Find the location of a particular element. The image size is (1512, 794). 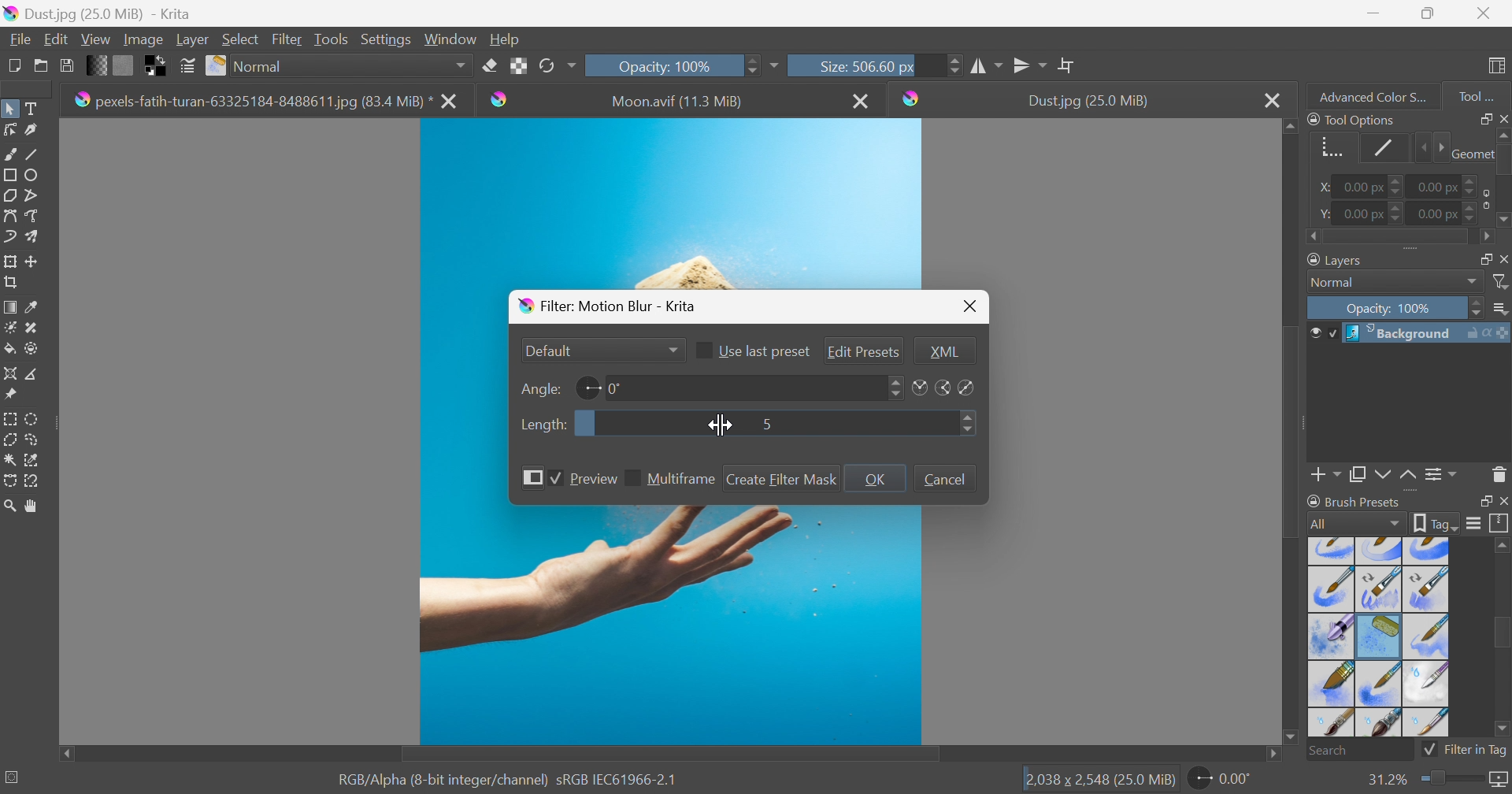

Reload original preset is located at coordinates (557, 64).